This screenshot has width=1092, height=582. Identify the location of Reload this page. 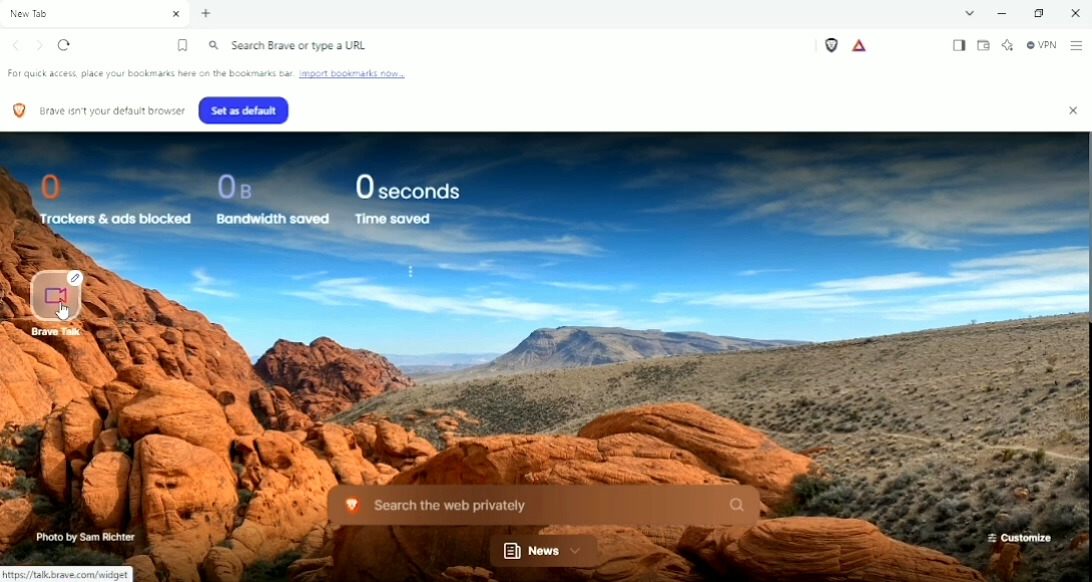
(66, 45).